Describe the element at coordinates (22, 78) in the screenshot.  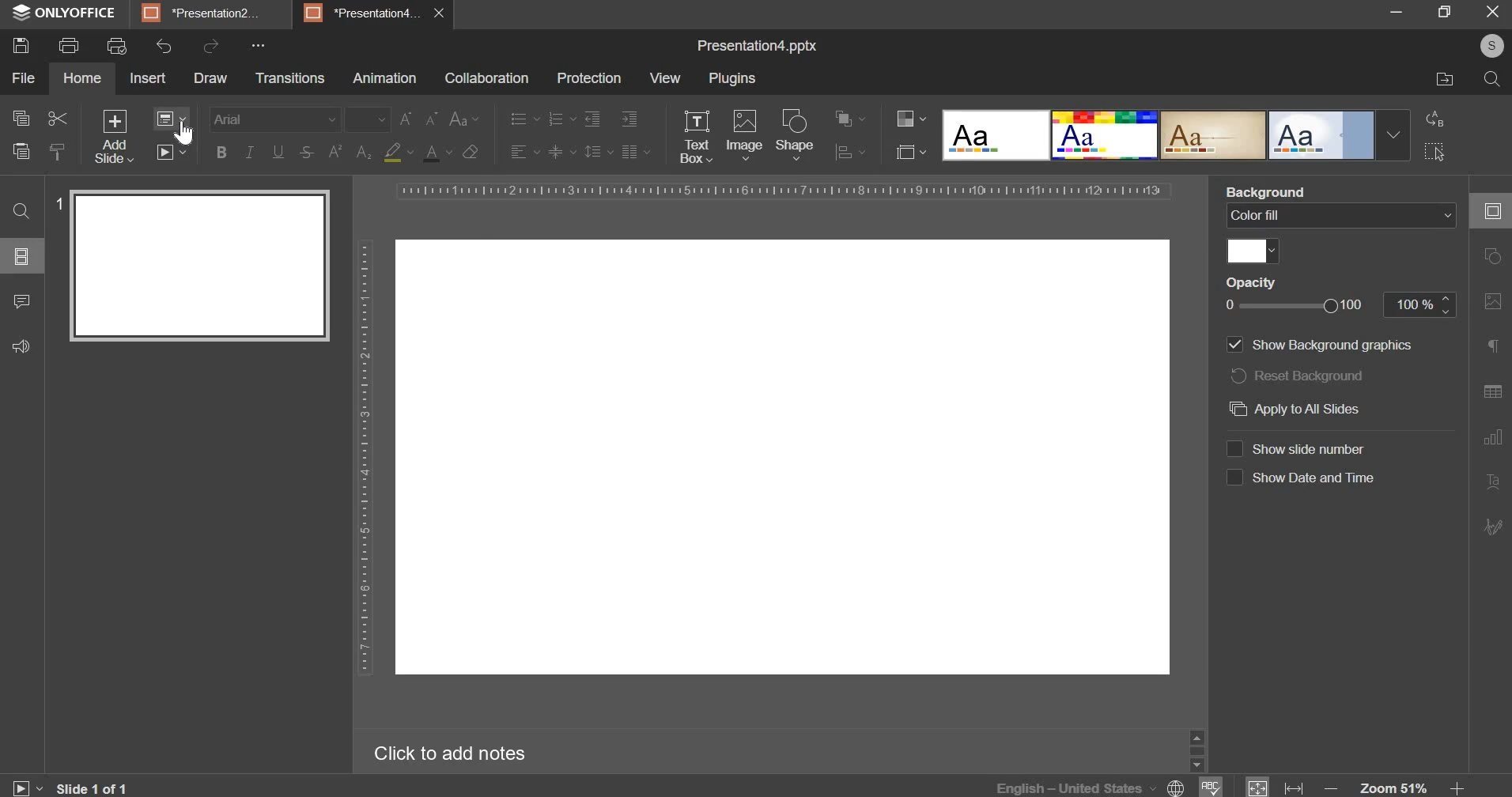
I see `file` at that location.